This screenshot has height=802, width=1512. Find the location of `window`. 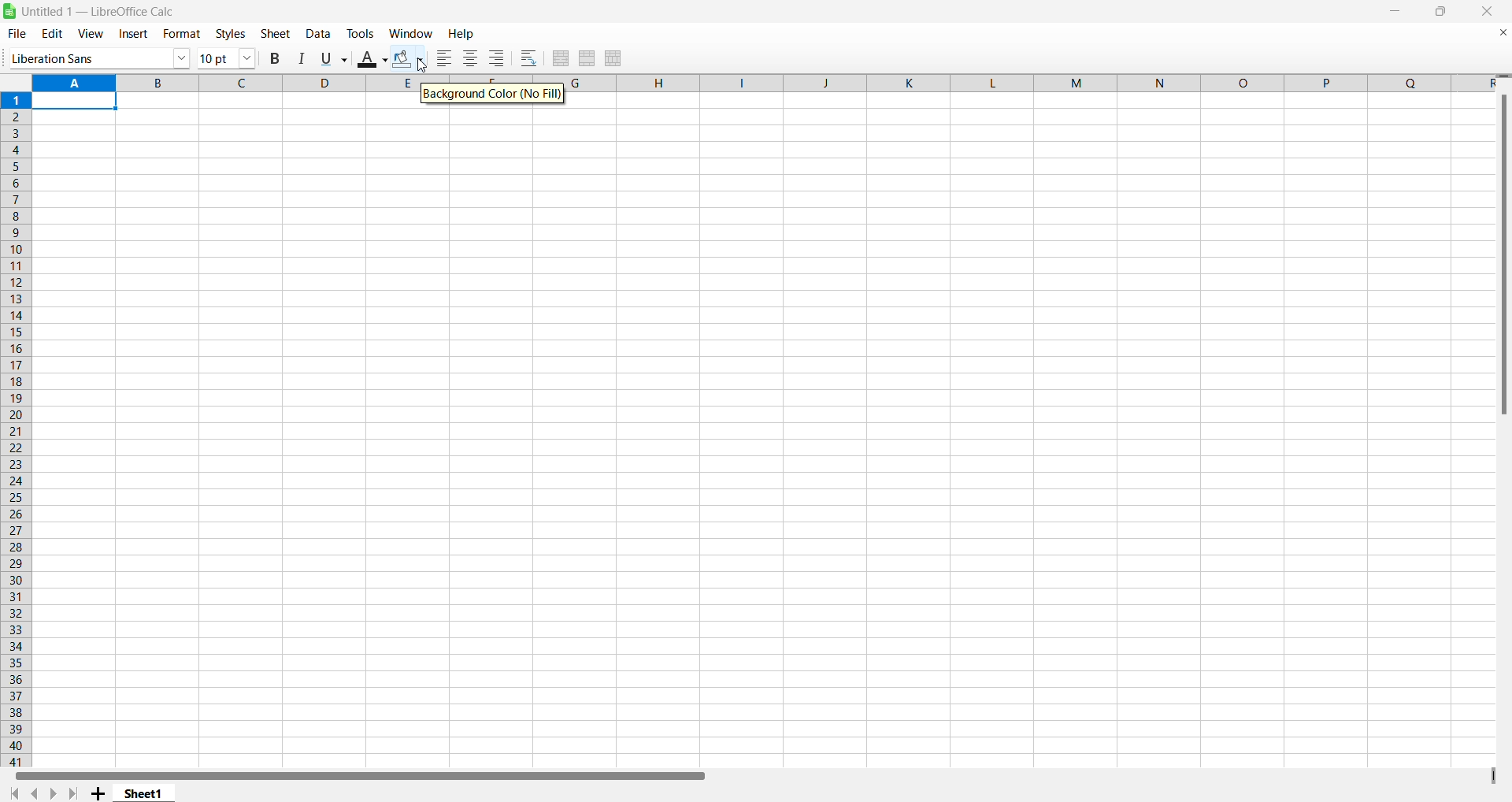

window is located at coordinates (407, 33).